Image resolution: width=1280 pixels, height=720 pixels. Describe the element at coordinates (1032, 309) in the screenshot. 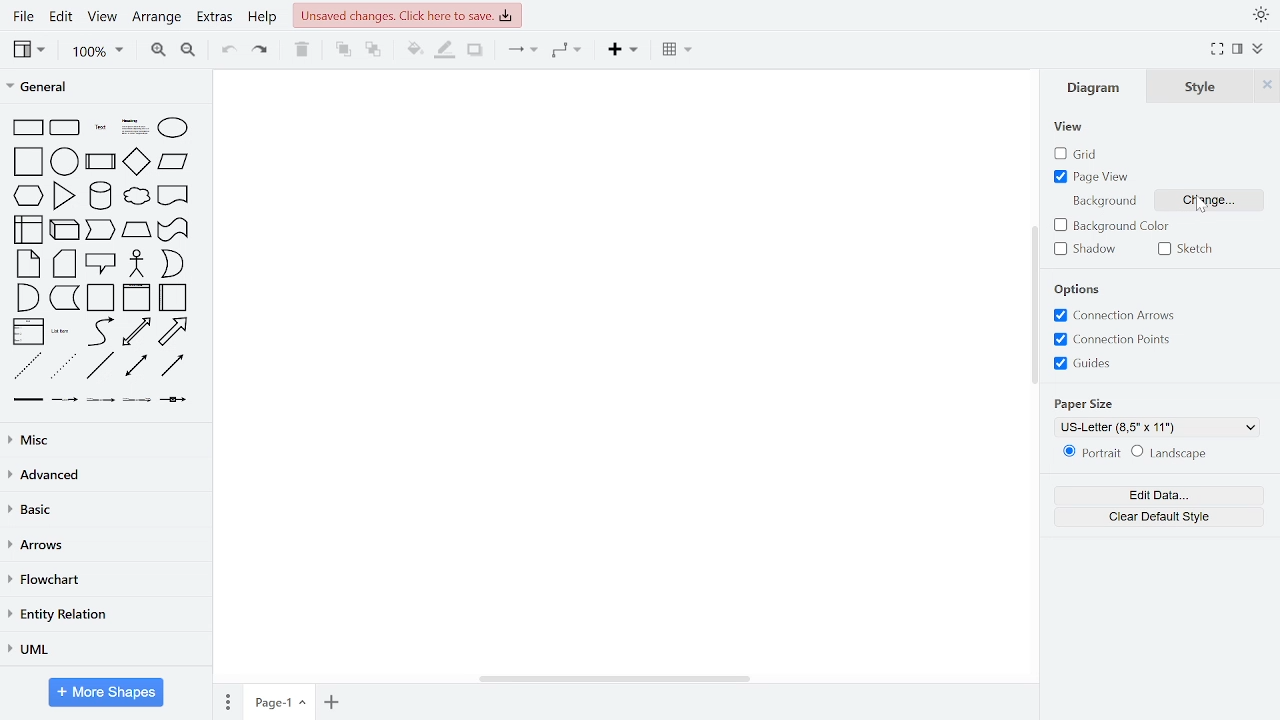

I see `vertical scrollbar` at that location.